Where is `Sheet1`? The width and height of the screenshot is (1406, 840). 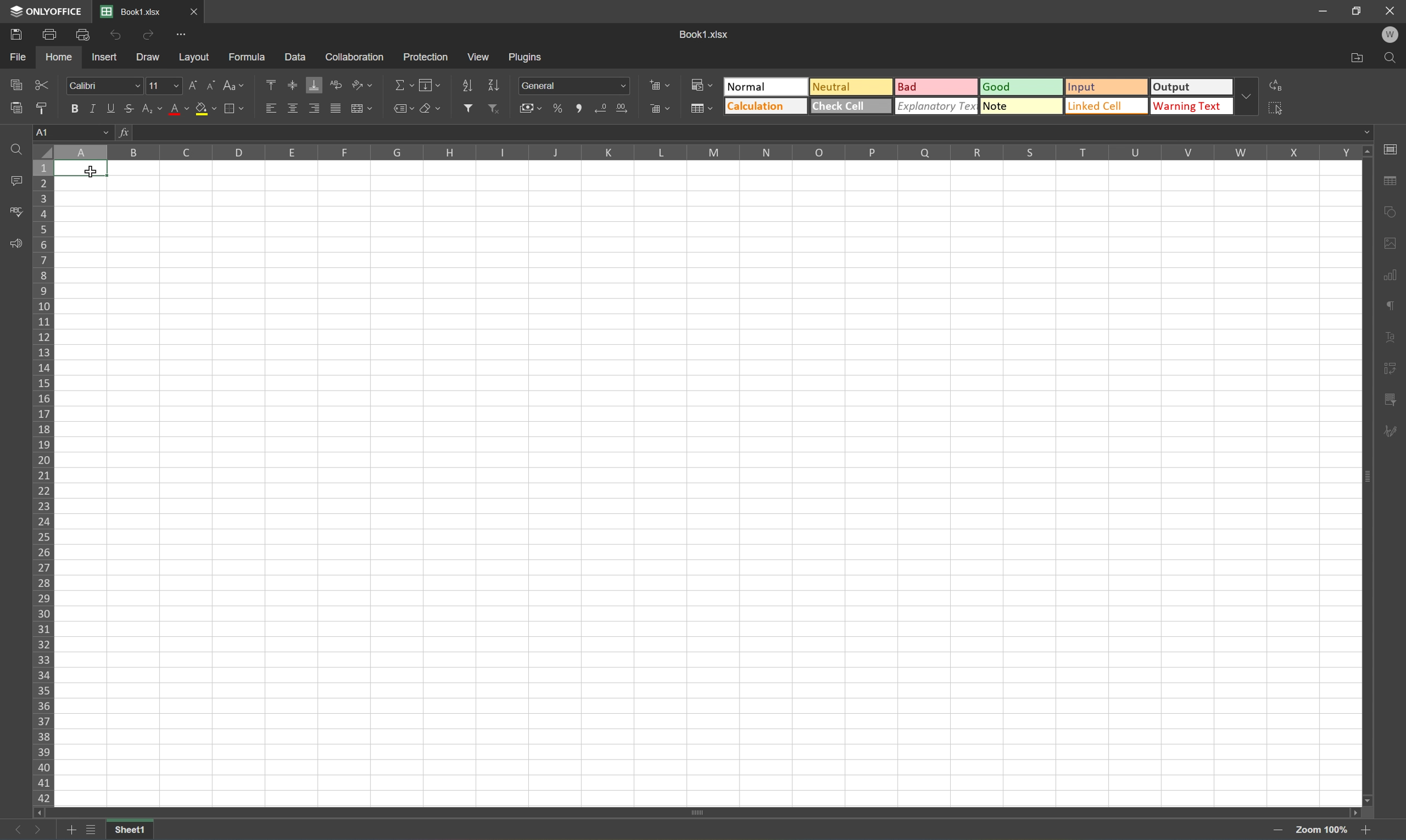 Sheet1 is located at coordinates (131, 831).